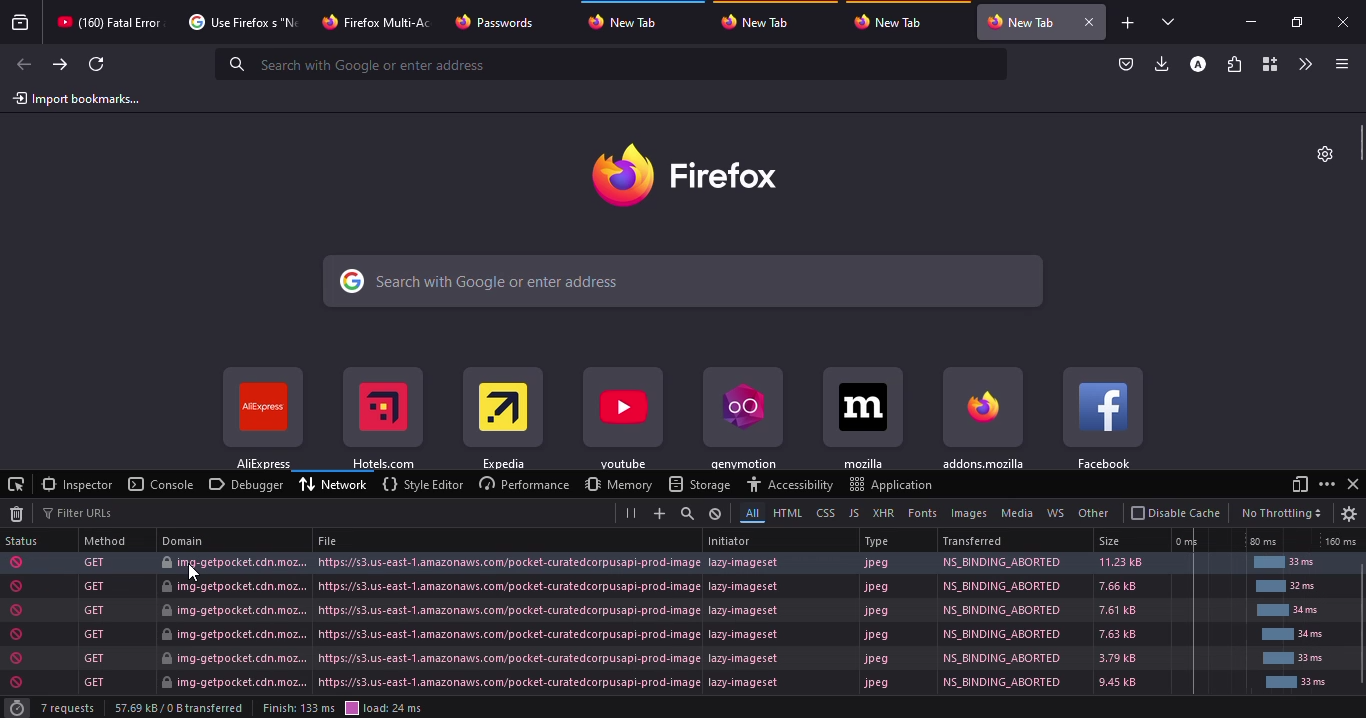  I want to click on html, so click(785, 512).